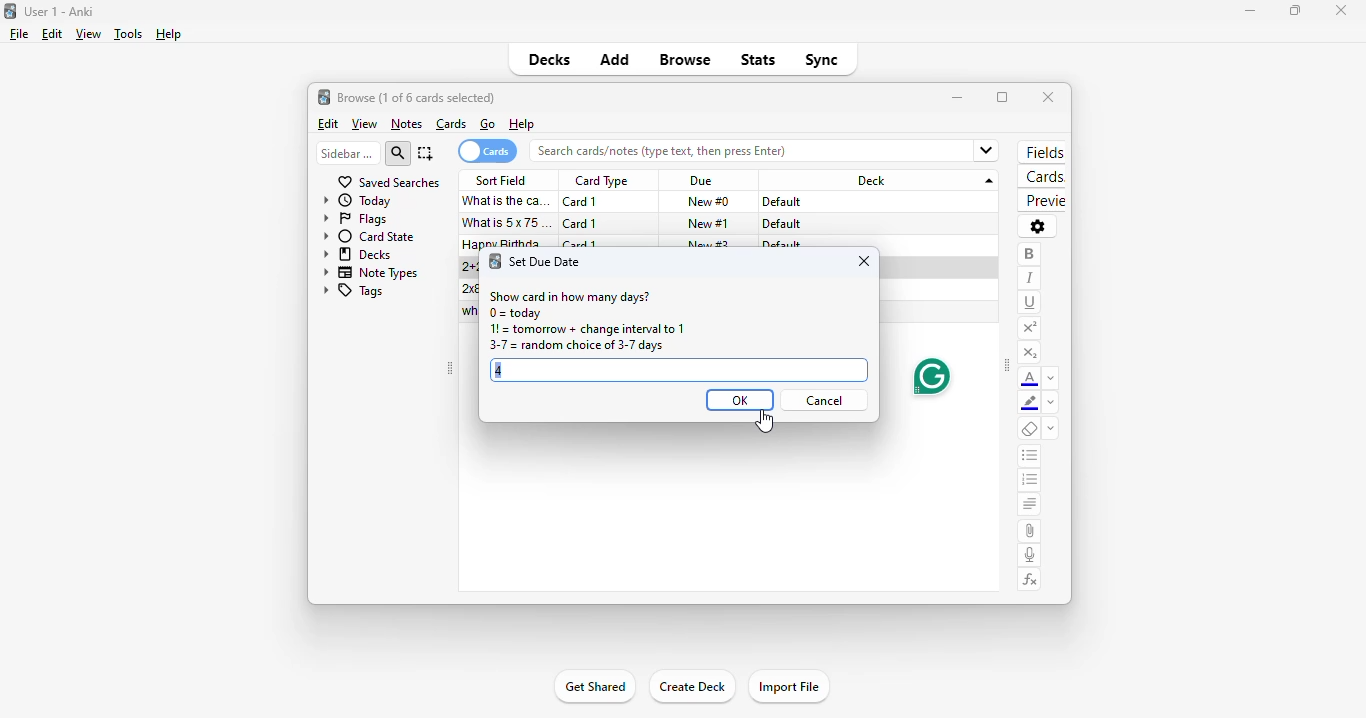  What do you see at coordinates (1029, 531) in the screenshot?
I see `attach pictures/audio/video` at bounding box center [1029, 531].